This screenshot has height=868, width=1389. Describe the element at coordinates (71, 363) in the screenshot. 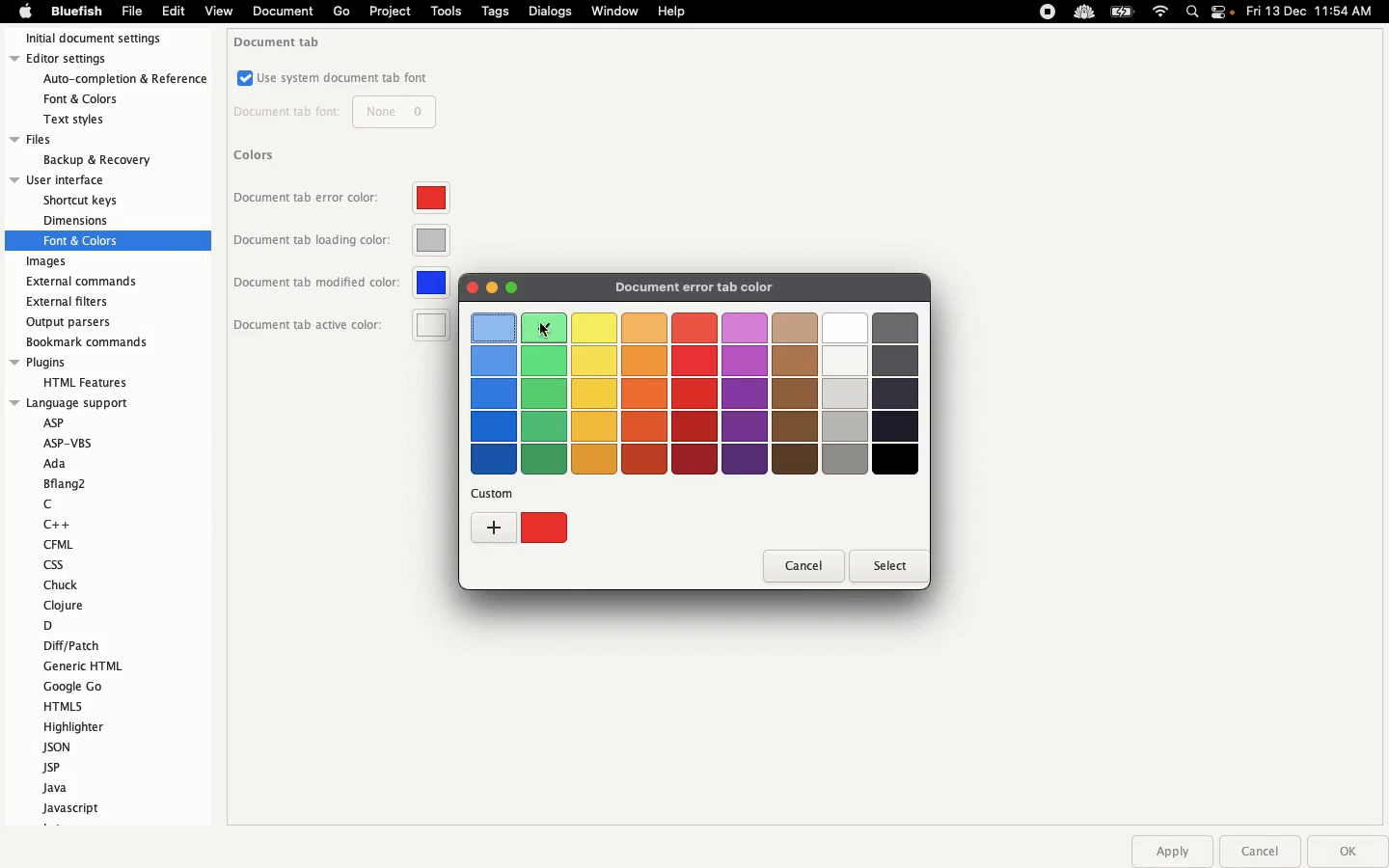

I see `Plugins` at that location.